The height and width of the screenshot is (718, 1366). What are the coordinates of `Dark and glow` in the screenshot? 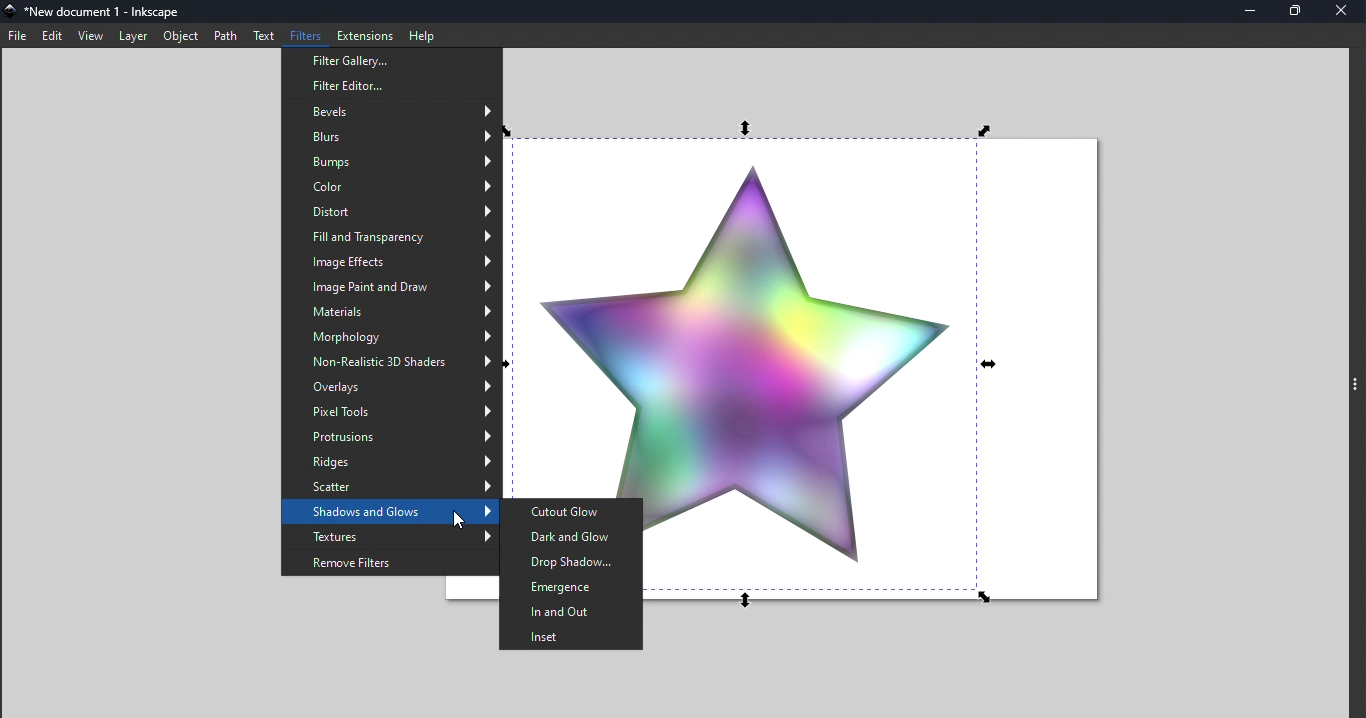 It's located at (571, 534).